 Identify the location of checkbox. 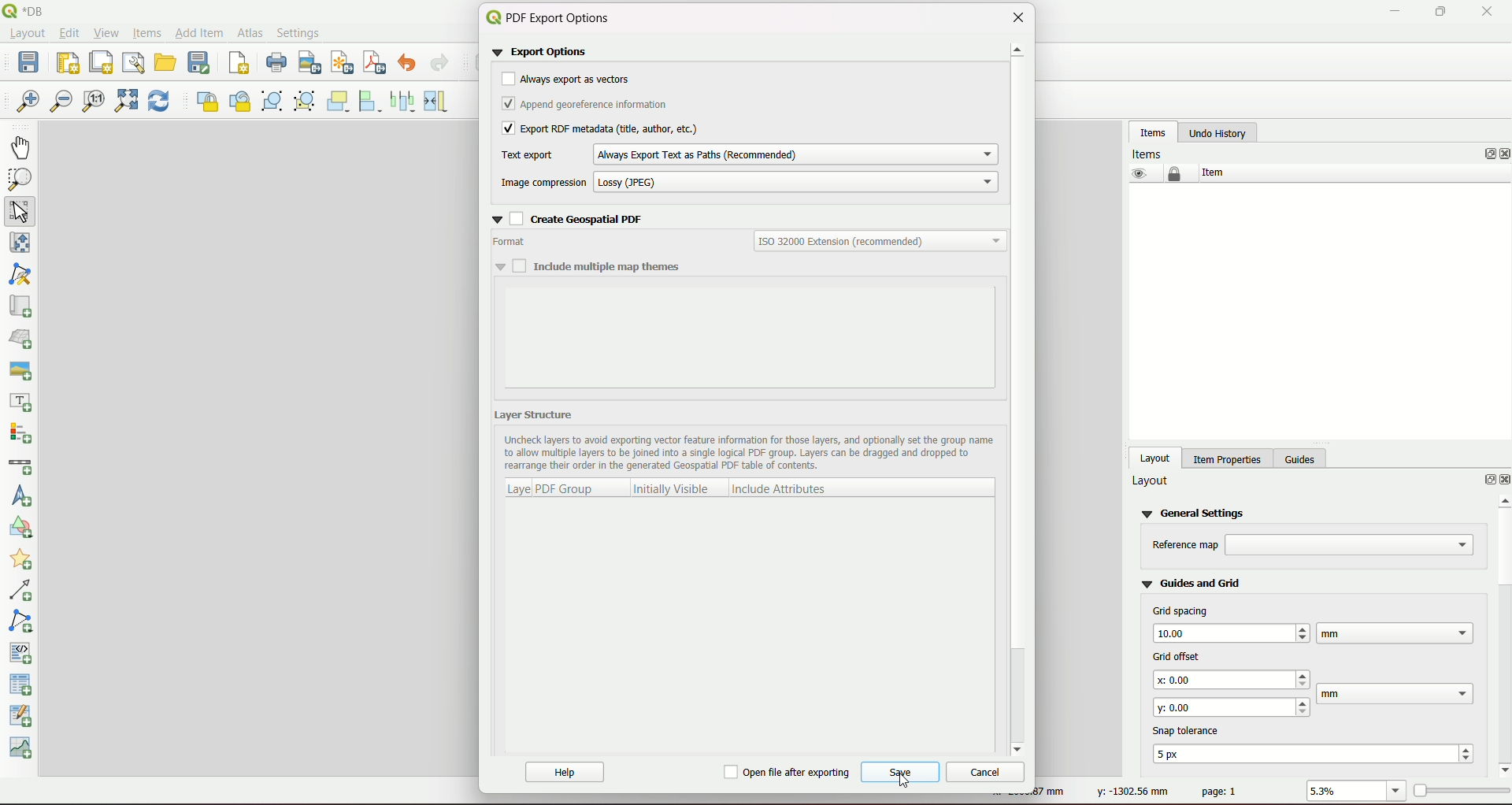
(506, 129).